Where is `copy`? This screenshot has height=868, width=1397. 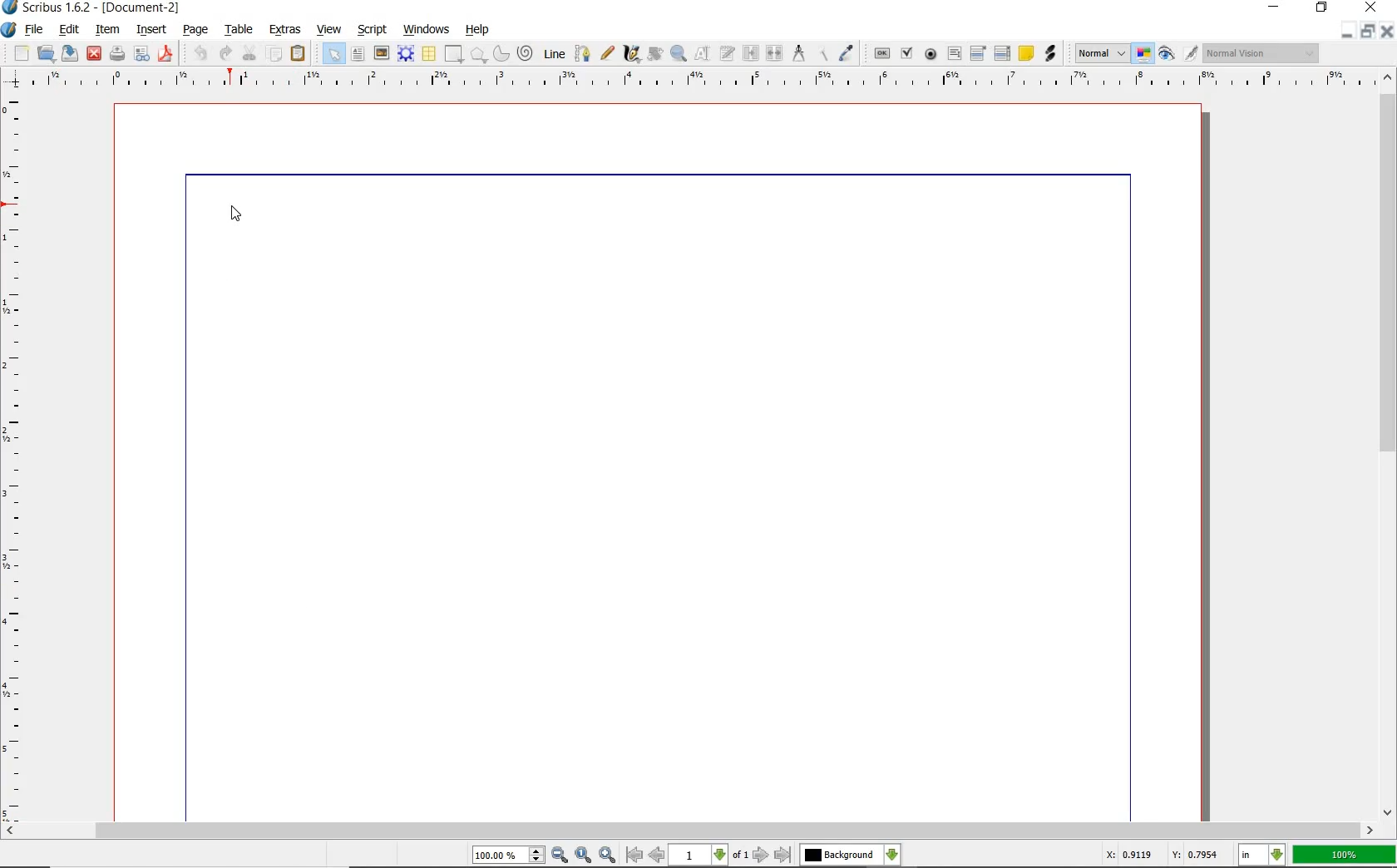
copy is located at coordinates (275, 55).